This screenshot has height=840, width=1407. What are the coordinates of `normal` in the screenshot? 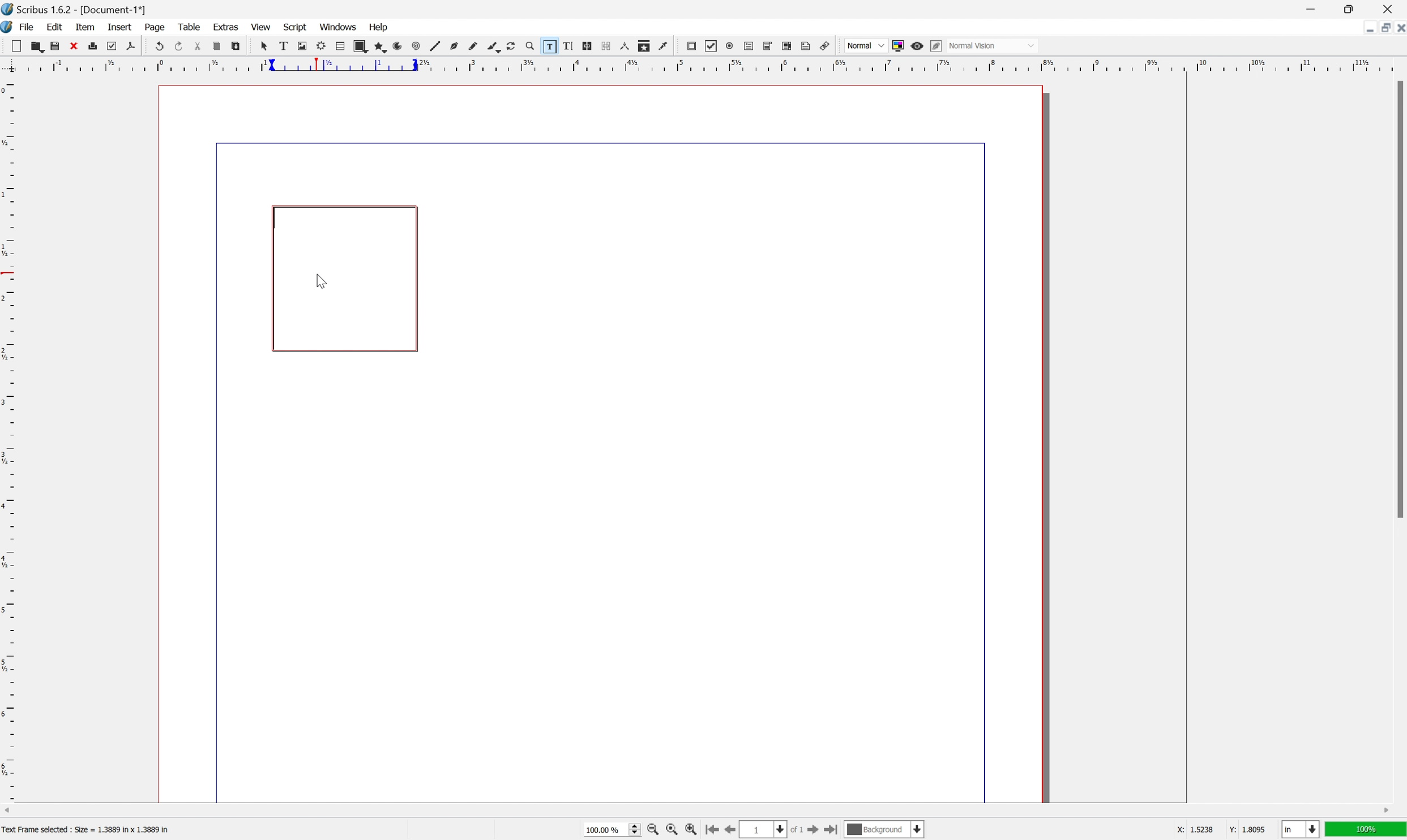 It's located at (866, 45).